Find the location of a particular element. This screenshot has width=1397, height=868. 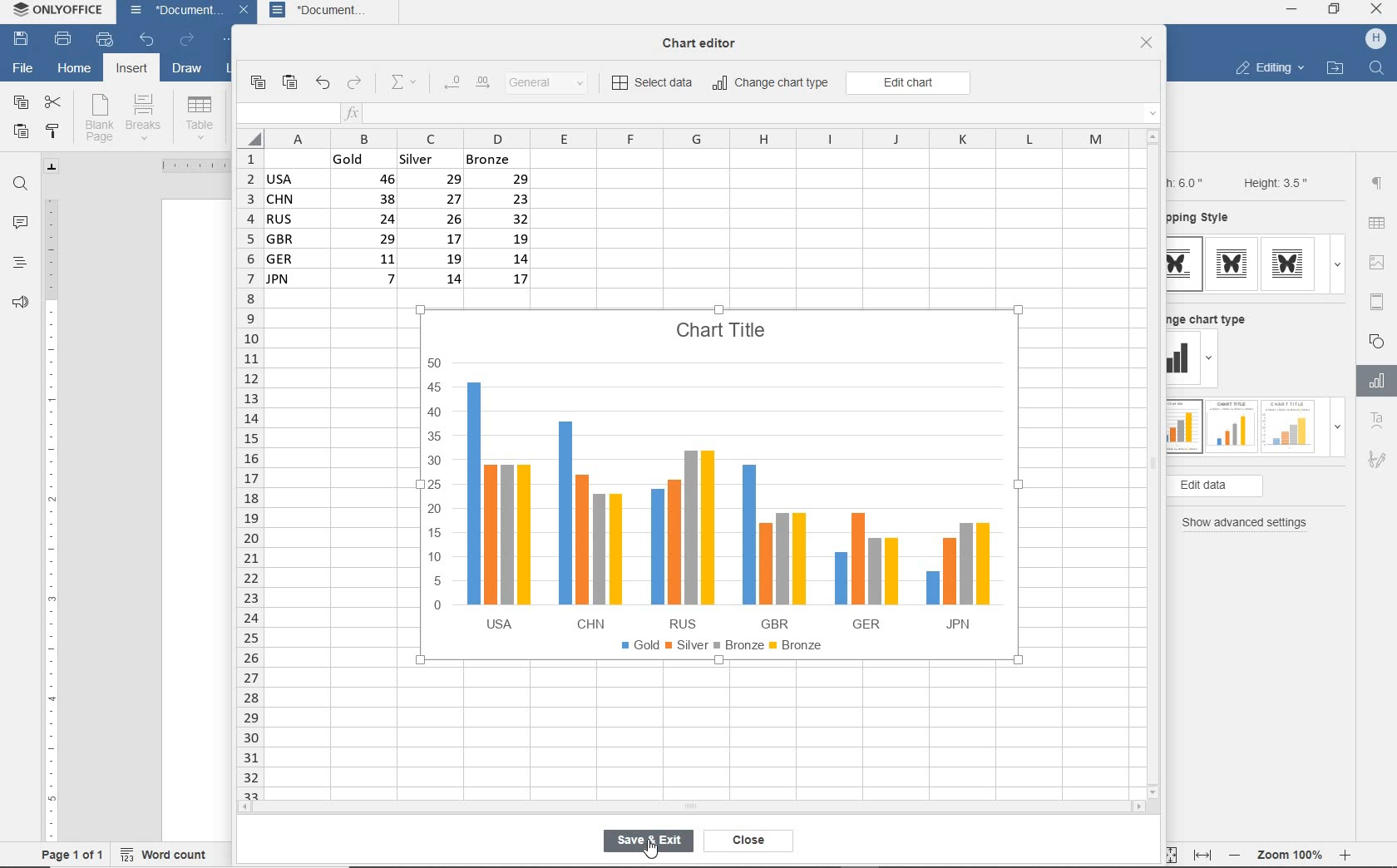

open file location is located at coordinates (1335, 69).